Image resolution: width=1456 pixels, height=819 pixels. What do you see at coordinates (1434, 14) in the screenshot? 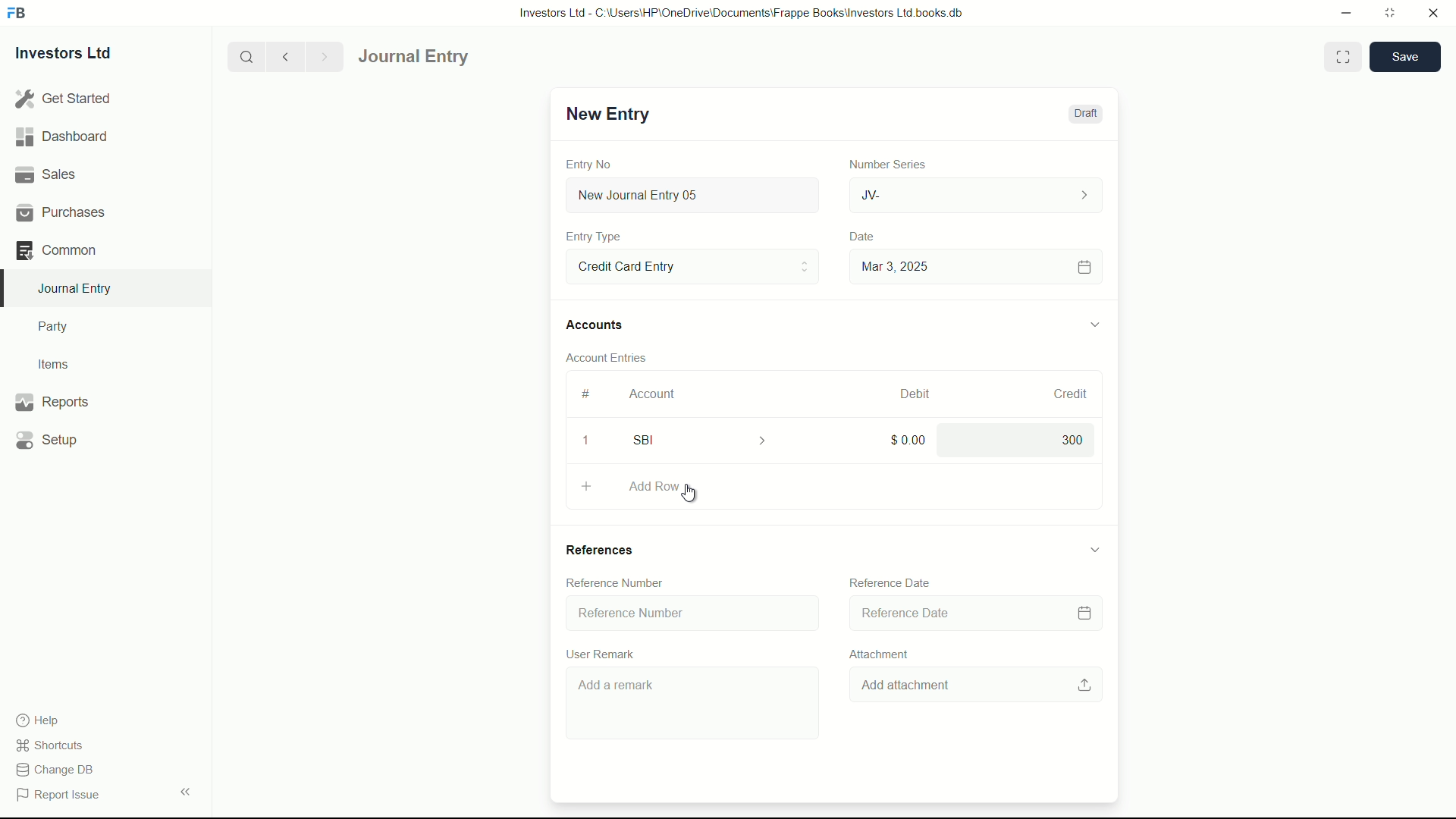
I see `close` at bounding box center [1434, 14].